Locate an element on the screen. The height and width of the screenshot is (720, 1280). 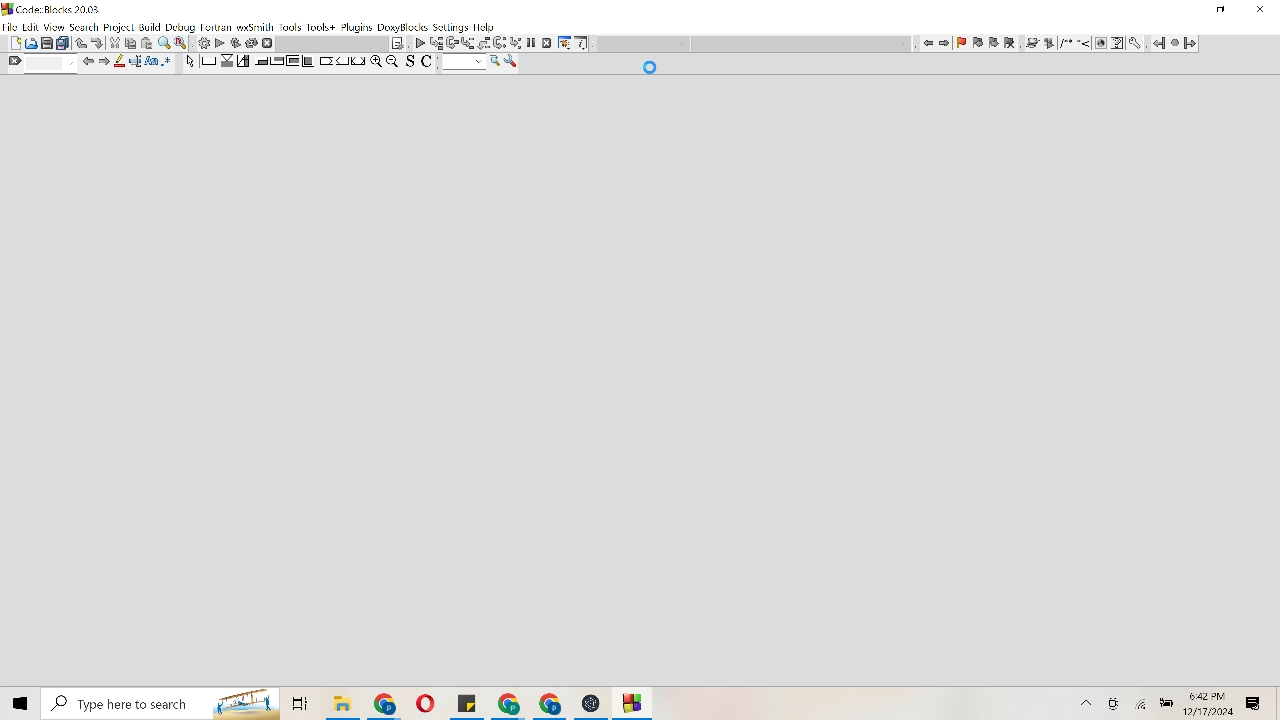
File is located at coordinates (386, 703).